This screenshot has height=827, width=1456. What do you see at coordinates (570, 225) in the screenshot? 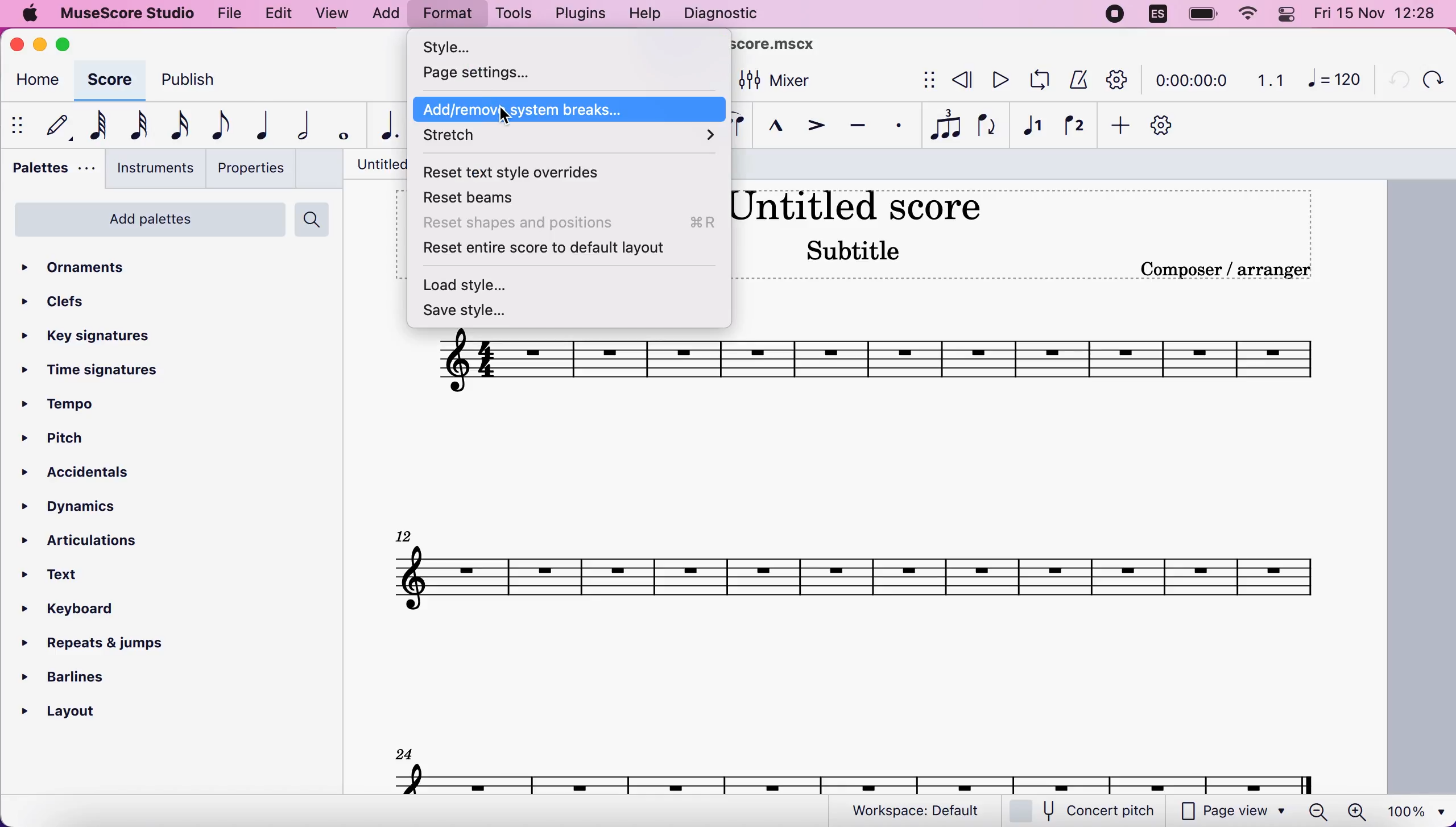
I see `reset shapes and positions` at bounding box center [570, 225].